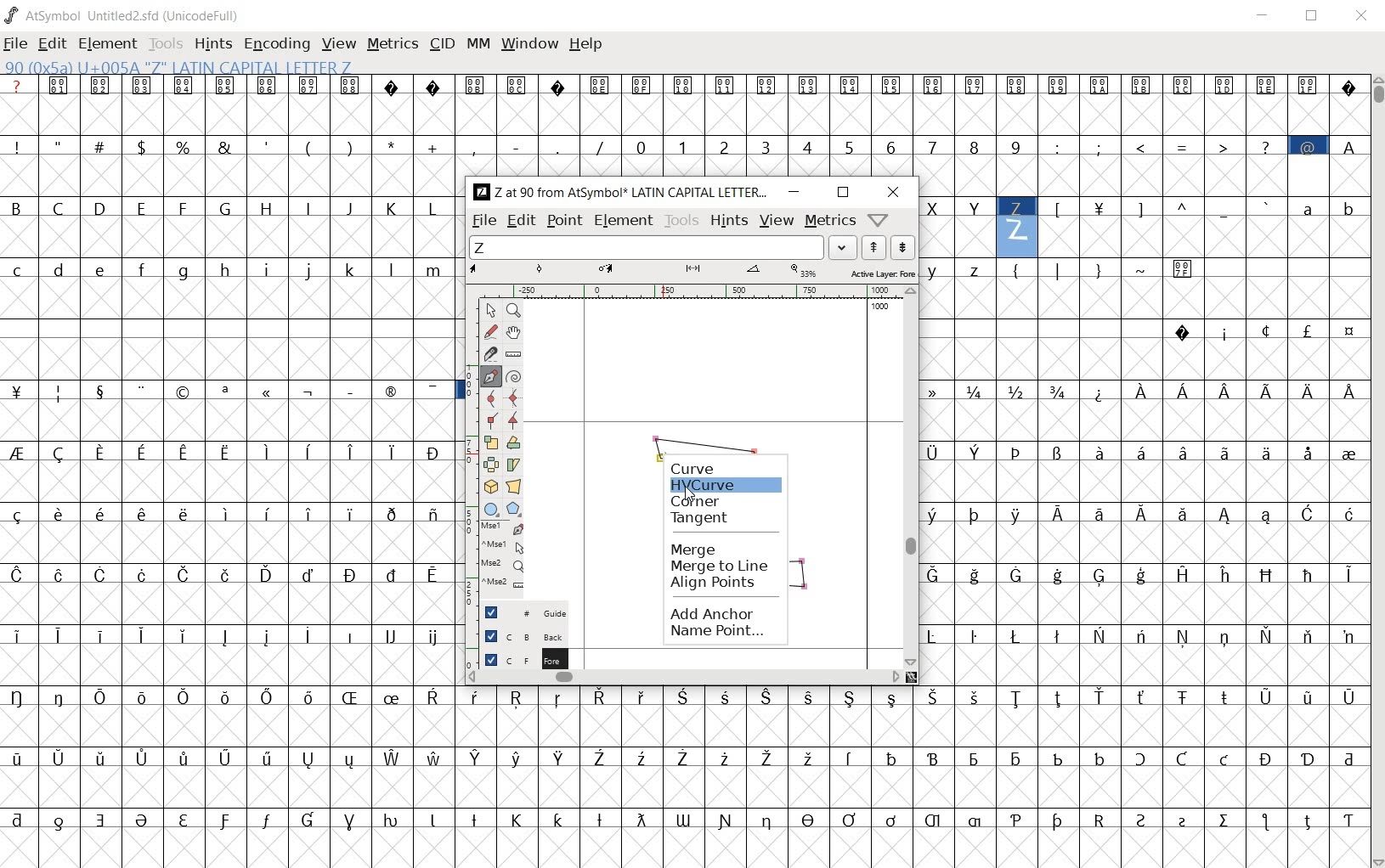  I want to click on glyphs, so click(229, 462).